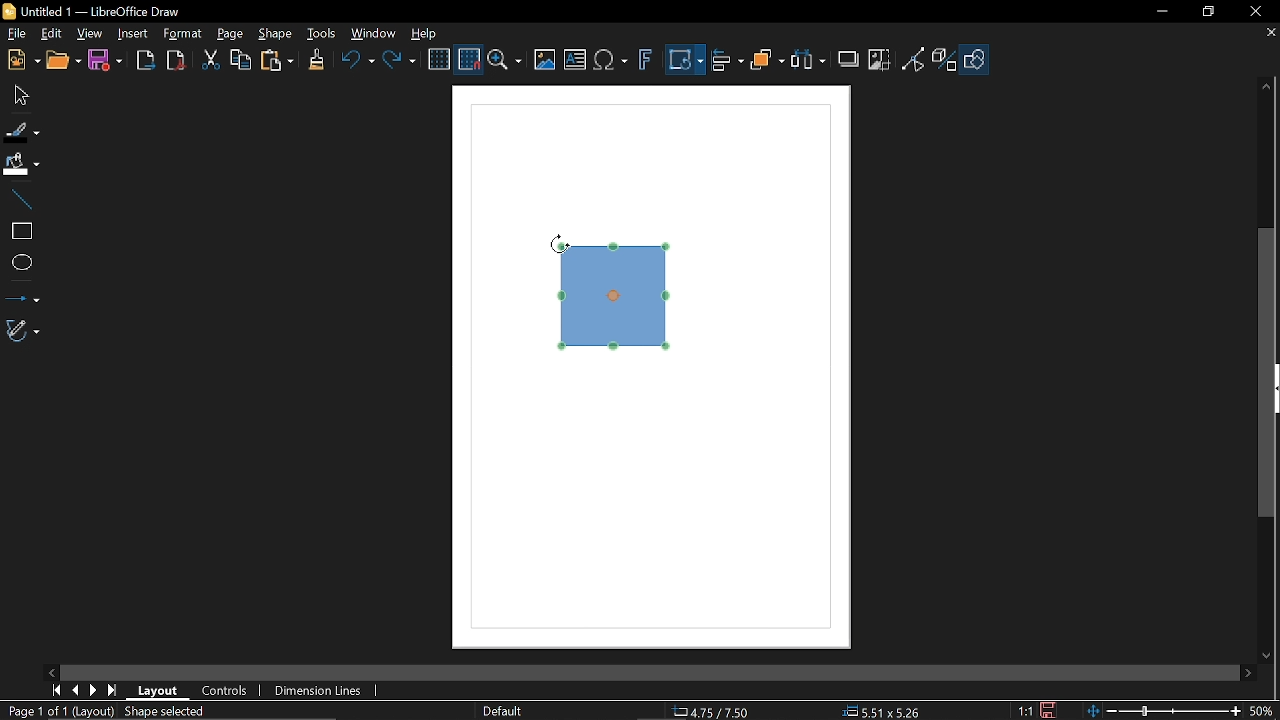 This screenshot has width=1280, height=720. Describe the element at coordinates (88, 35) in the screenshot. I see `View` at that location.